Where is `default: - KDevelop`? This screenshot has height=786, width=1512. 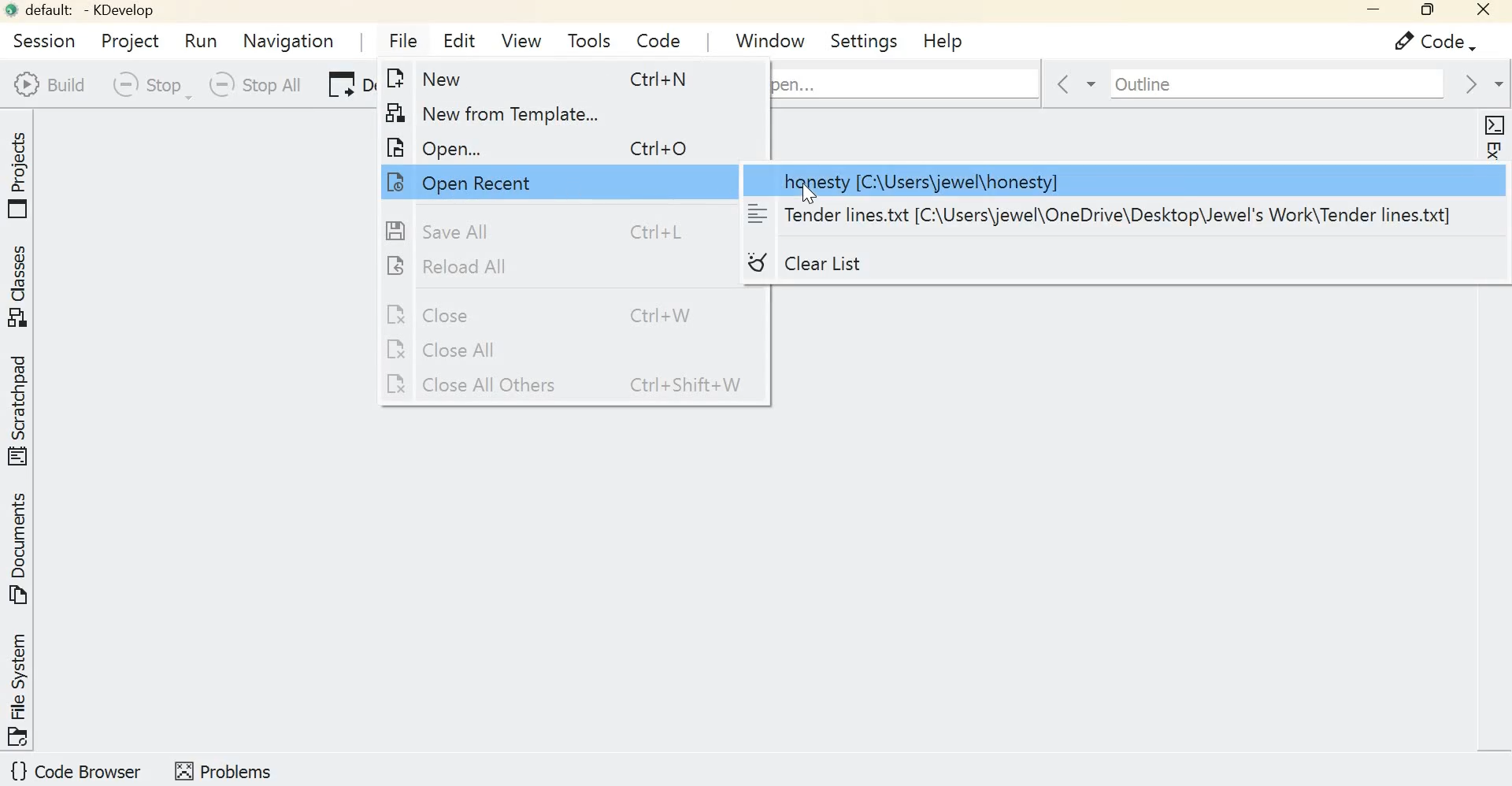
default: - KDevelop is located at coordinates (85, 10).